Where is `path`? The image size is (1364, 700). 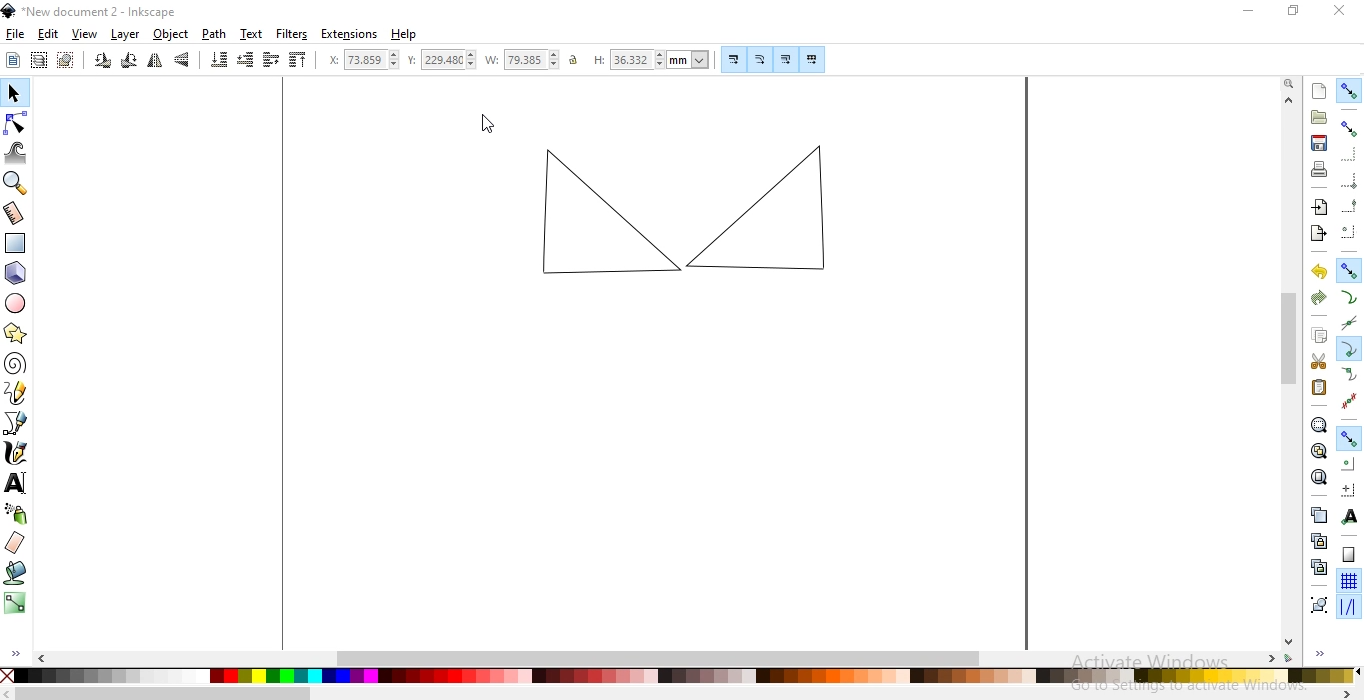
path is located at coordinates (214, 34).